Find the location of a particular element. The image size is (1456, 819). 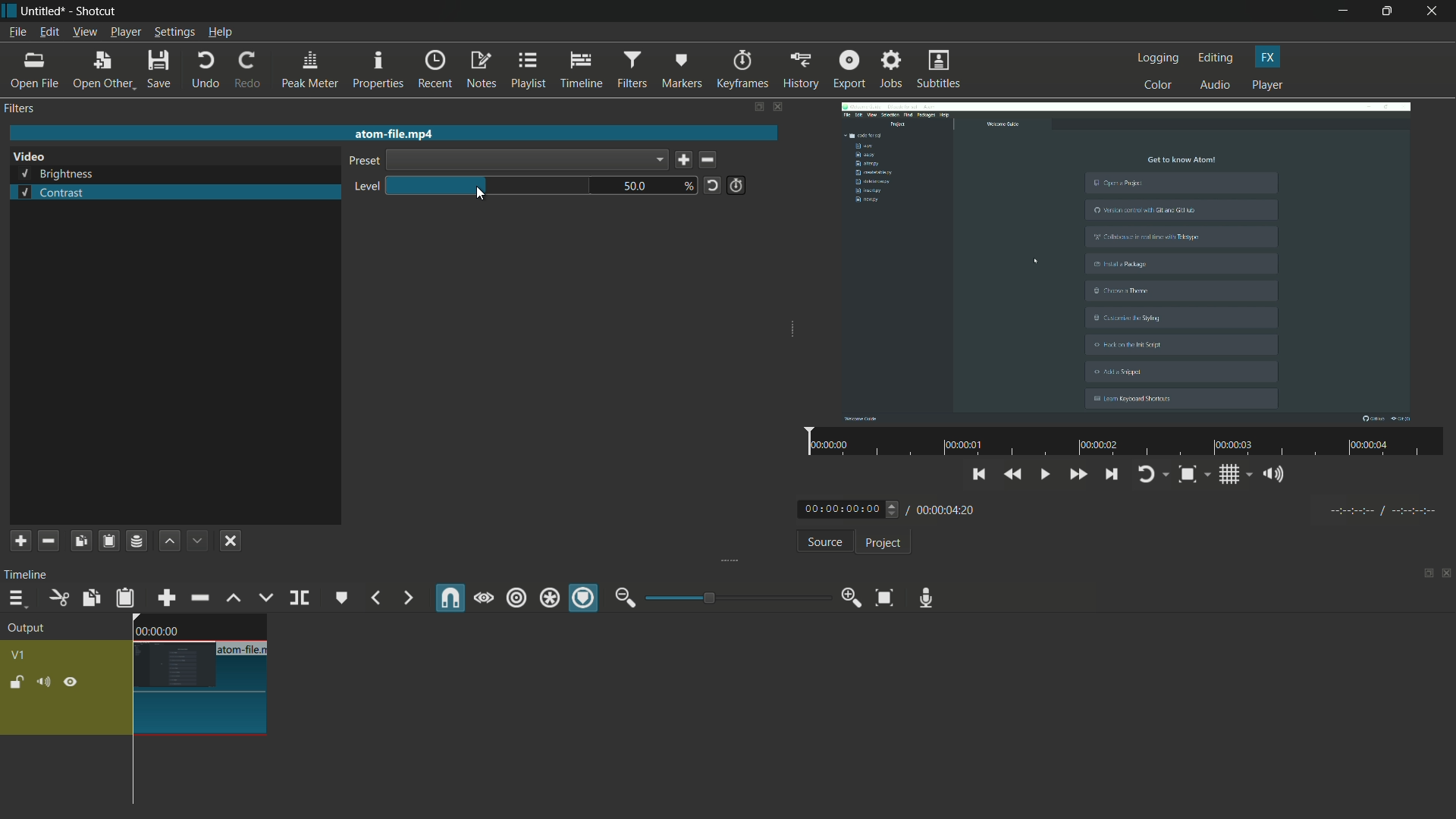

jobs is located at coordinates (891, 70).